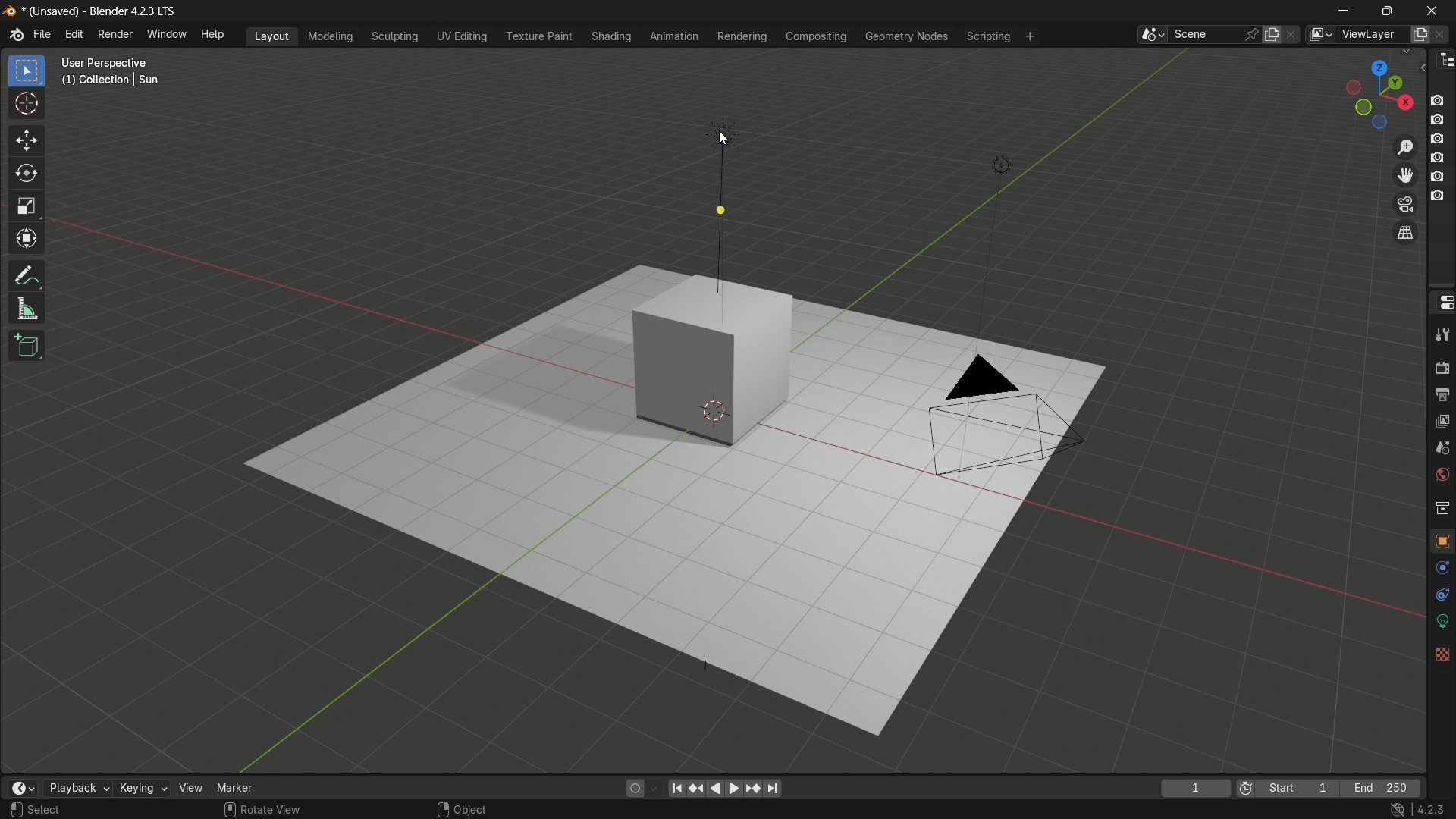  What do you see at coordinates (1205, 35) in the screenshot?
I see `scene name` at bounding box center [1205, 35].